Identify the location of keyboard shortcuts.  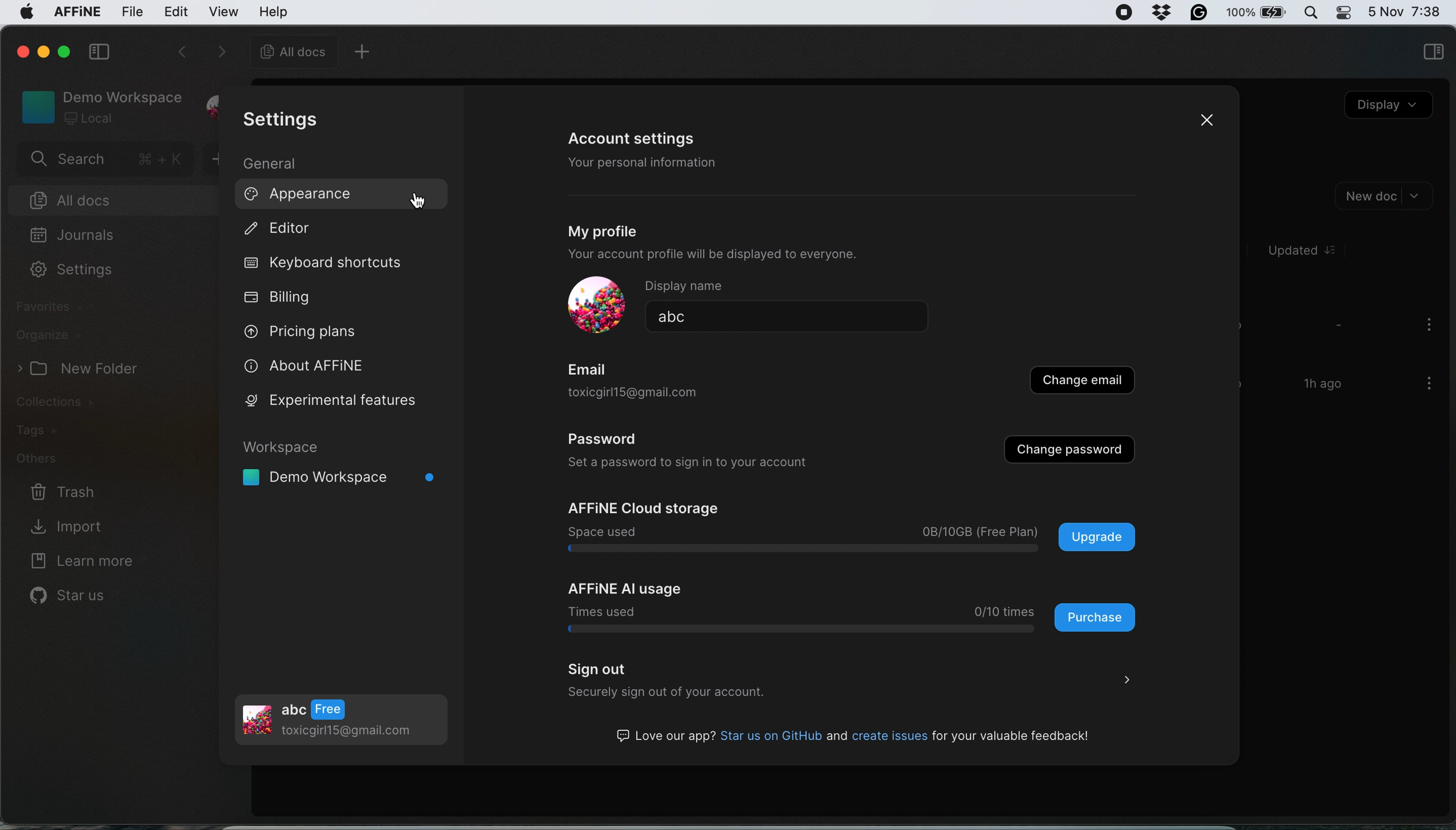
(327, 262).